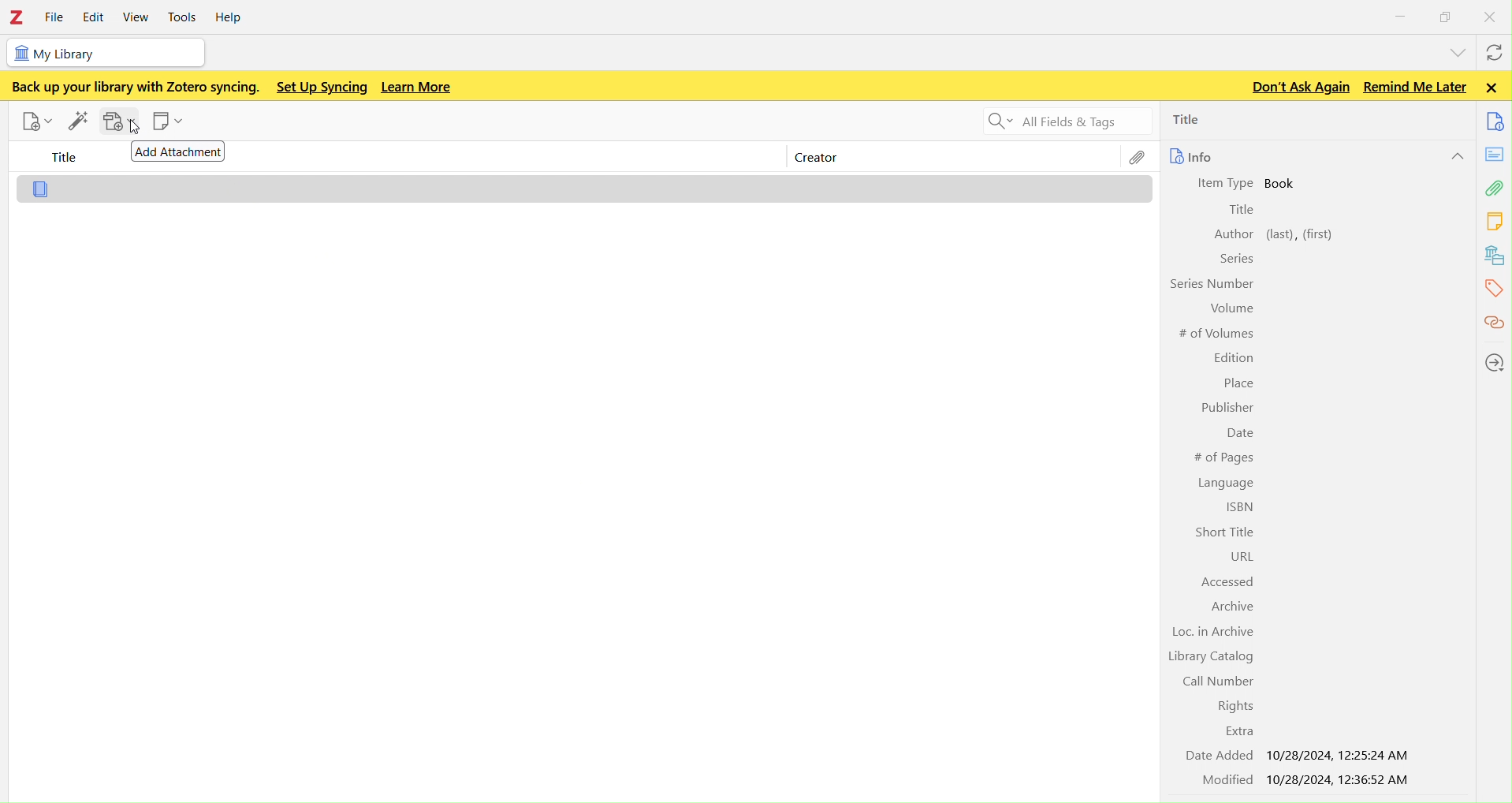  What do you see at coordinates (132, 128) in the screenshot?
I see `cursor` at bounding box center [132, 128].